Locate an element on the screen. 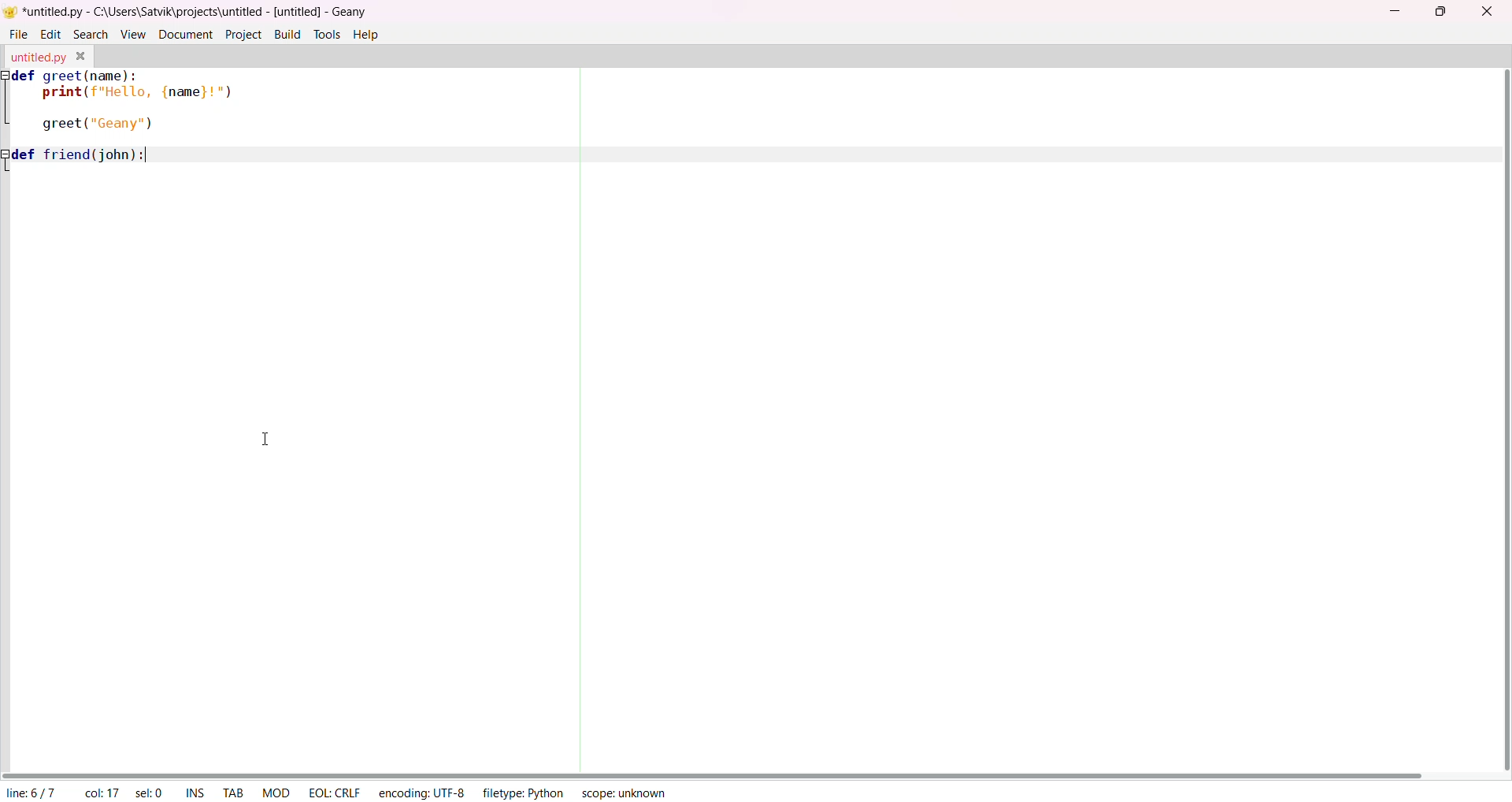  col: 17 is located at coordinates (99, 793).